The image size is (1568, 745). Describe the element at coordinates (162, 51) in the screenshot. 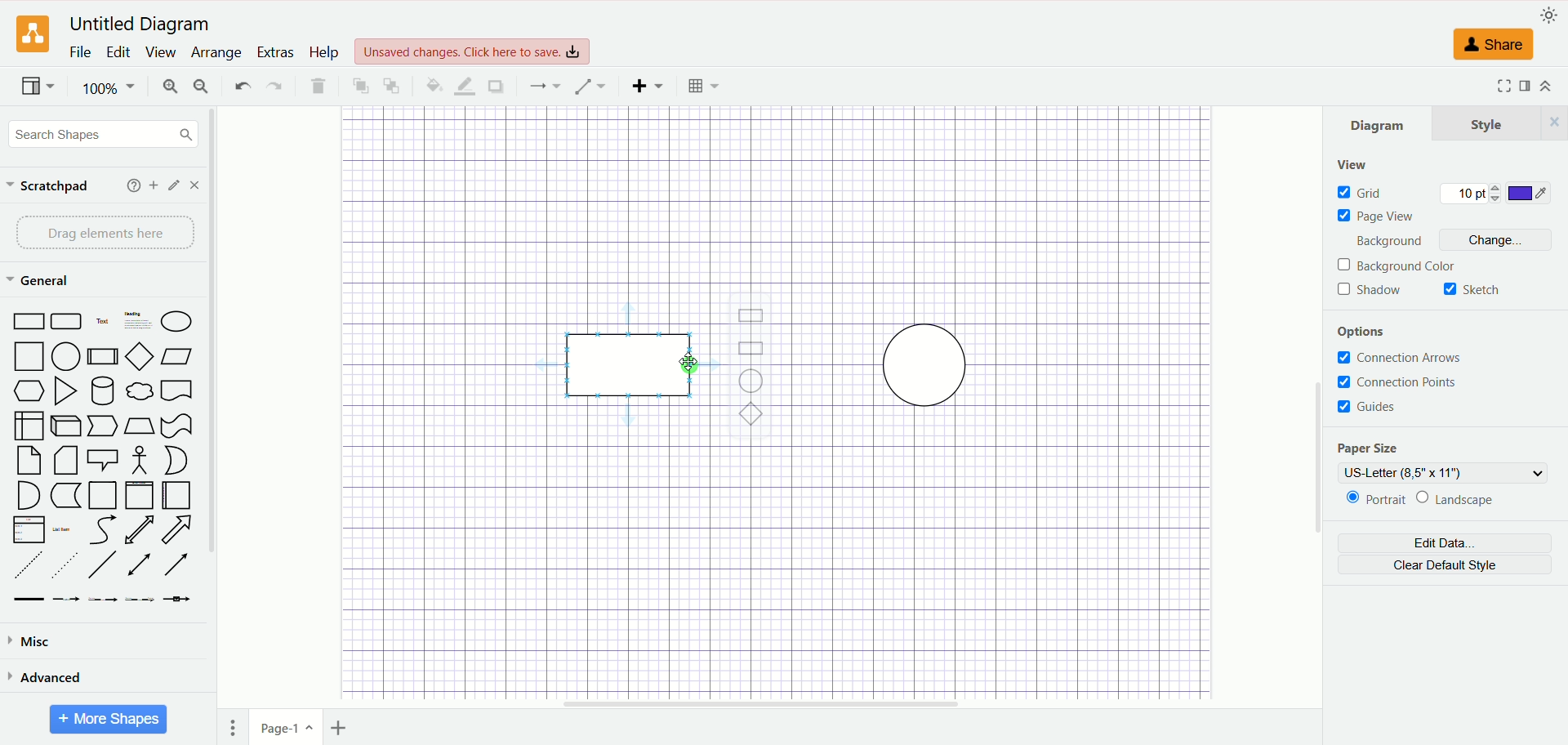

I see `view` at that location.